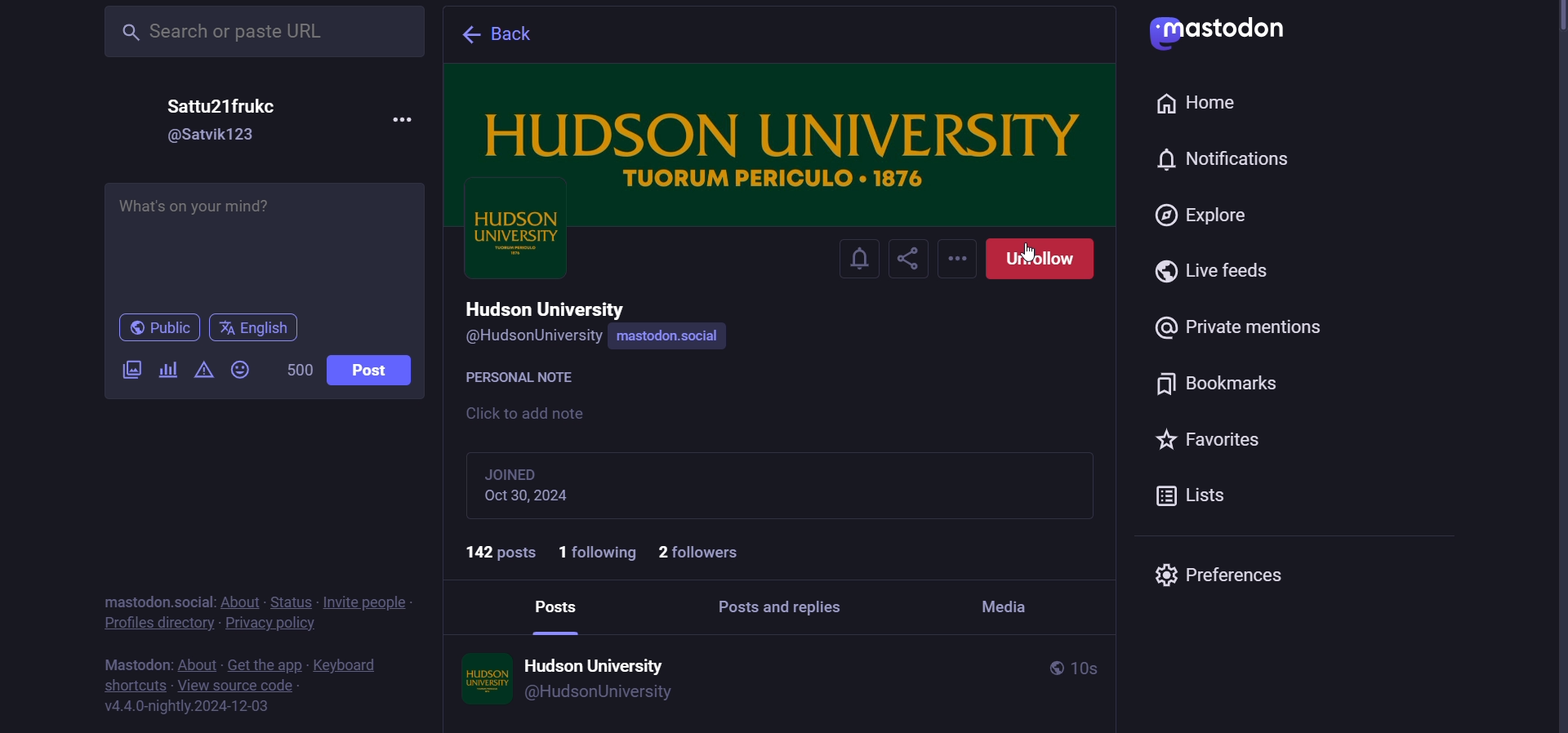 This screenshot has width=1568, height=733. What do you see at coordinates (205, 372) in the screenshot?
I see `content warning` at bounding box center [205, 372].